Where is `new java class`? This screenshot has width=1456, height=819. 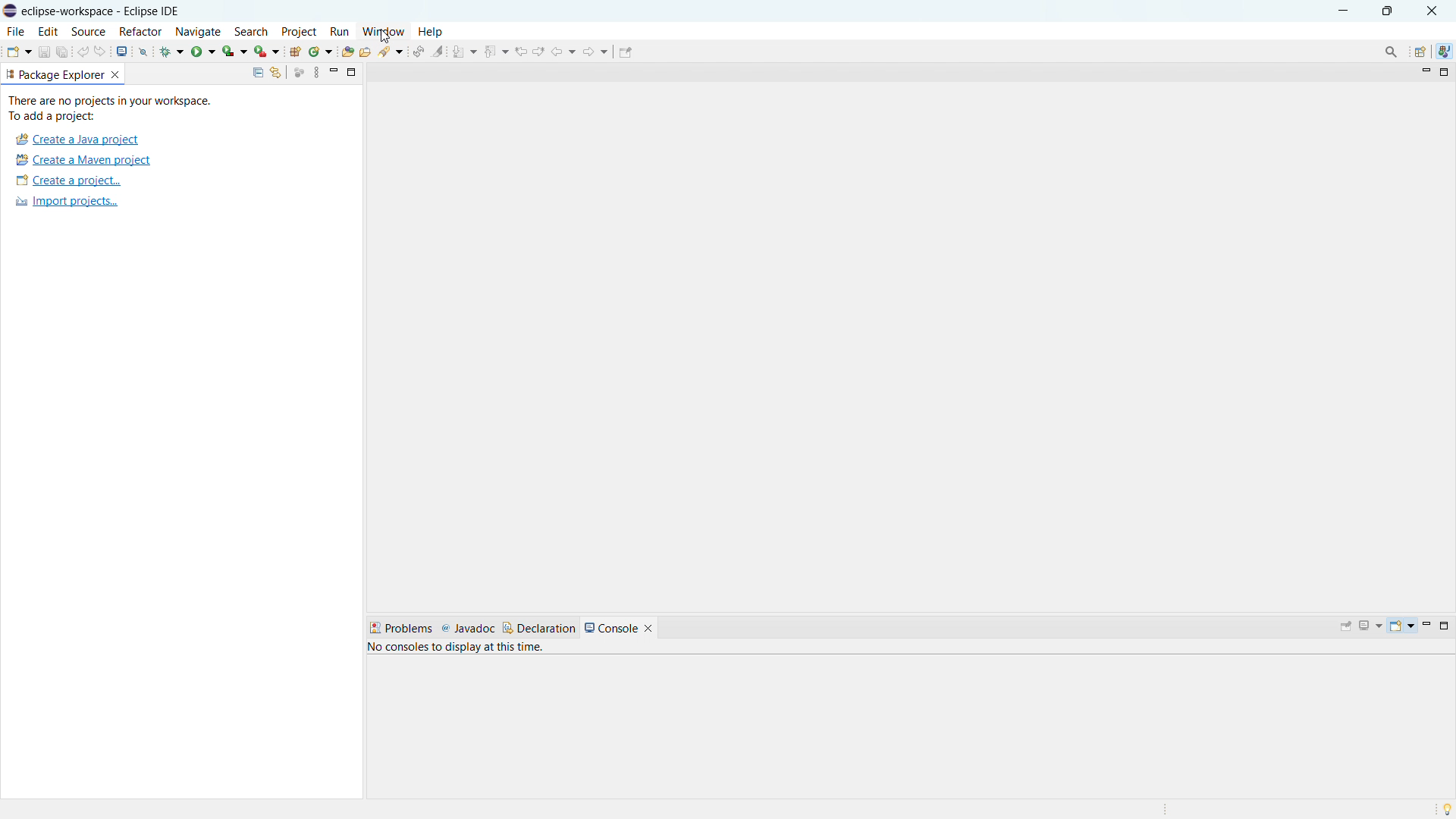
new java class is located at coordinates (321, 52).